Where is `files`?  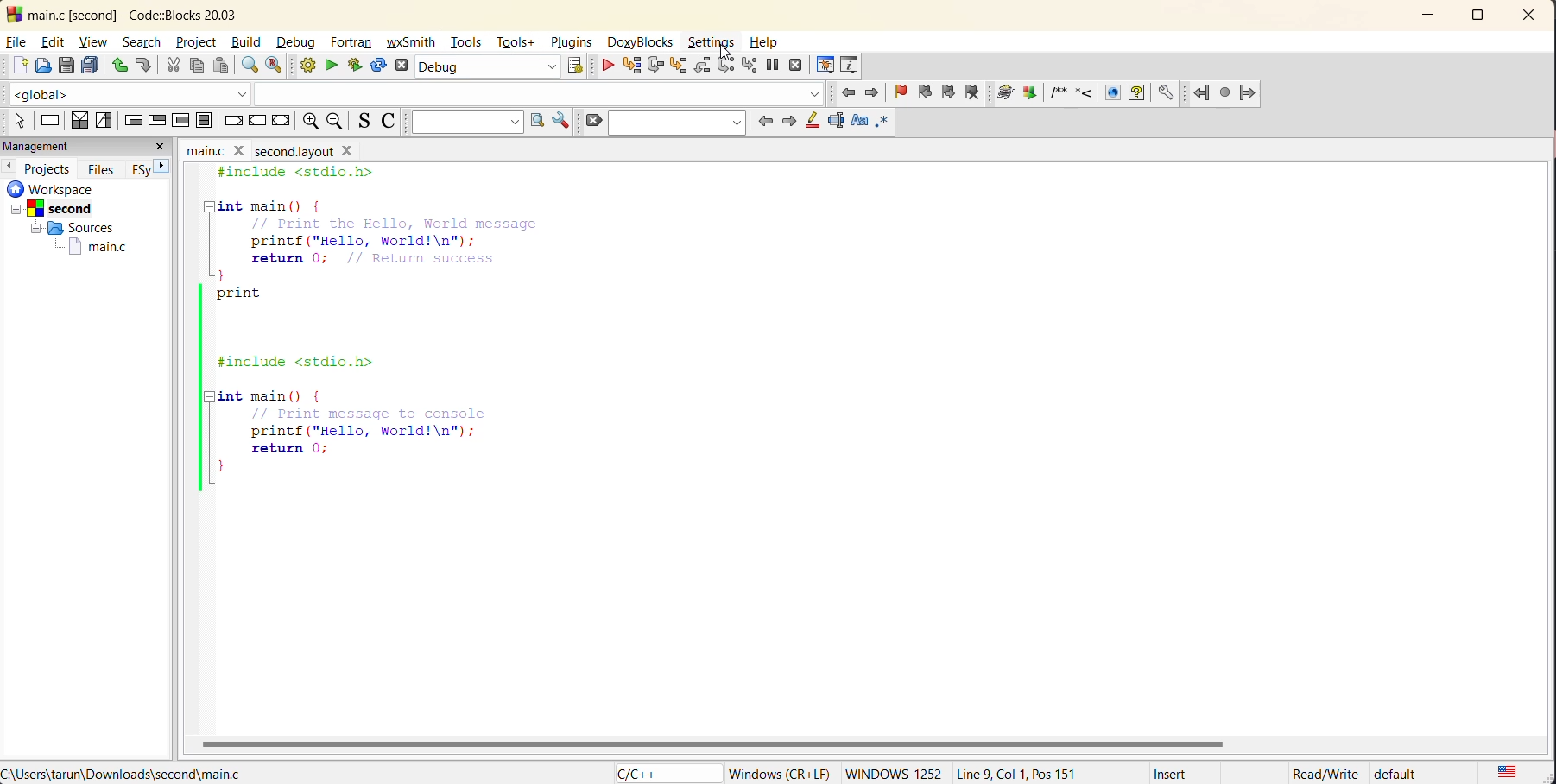 files is located at coordinates (104, 168).